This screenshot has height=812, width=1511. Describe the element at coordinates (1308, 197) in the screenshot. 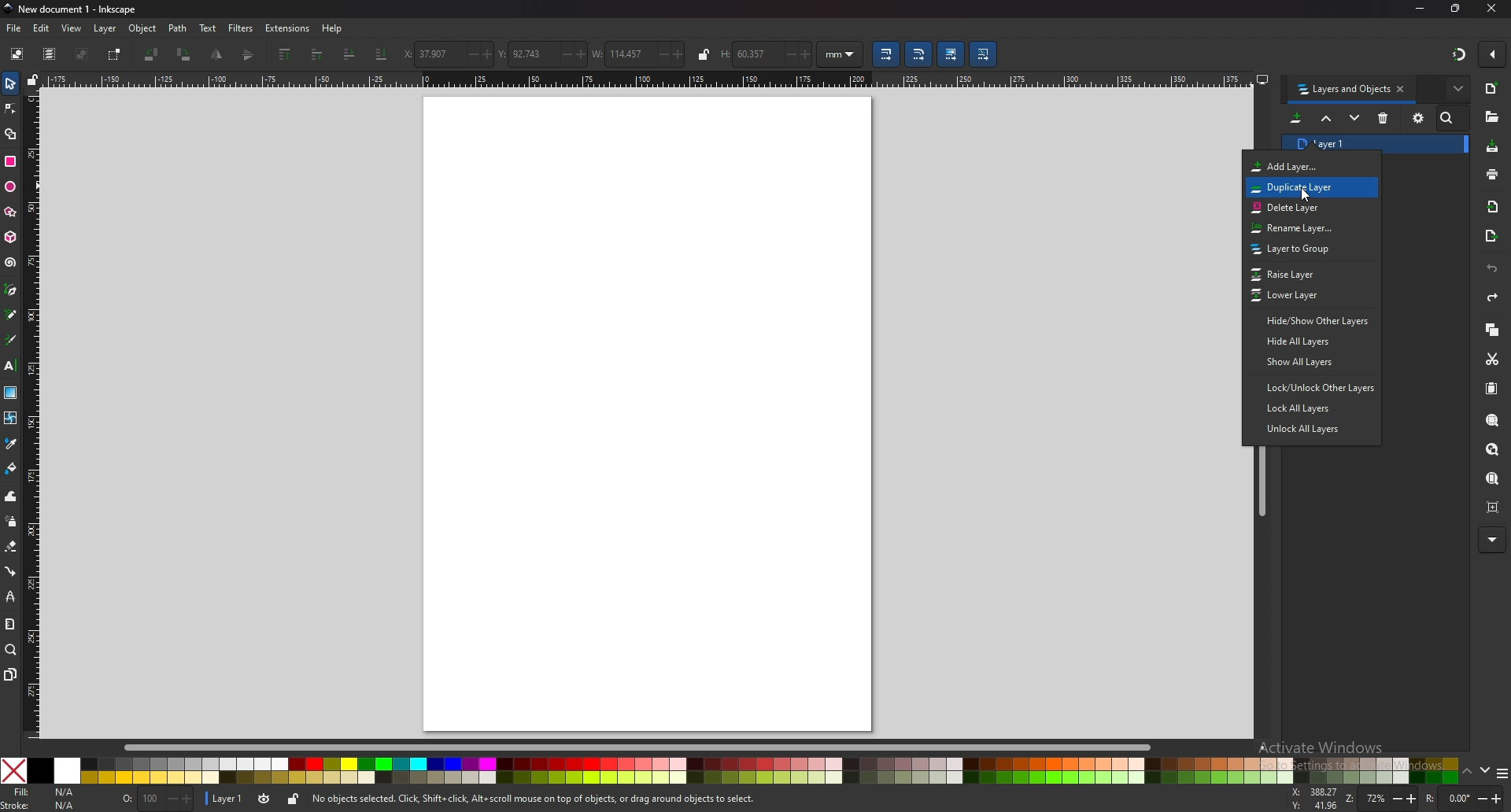

I see `cursor` at that location.